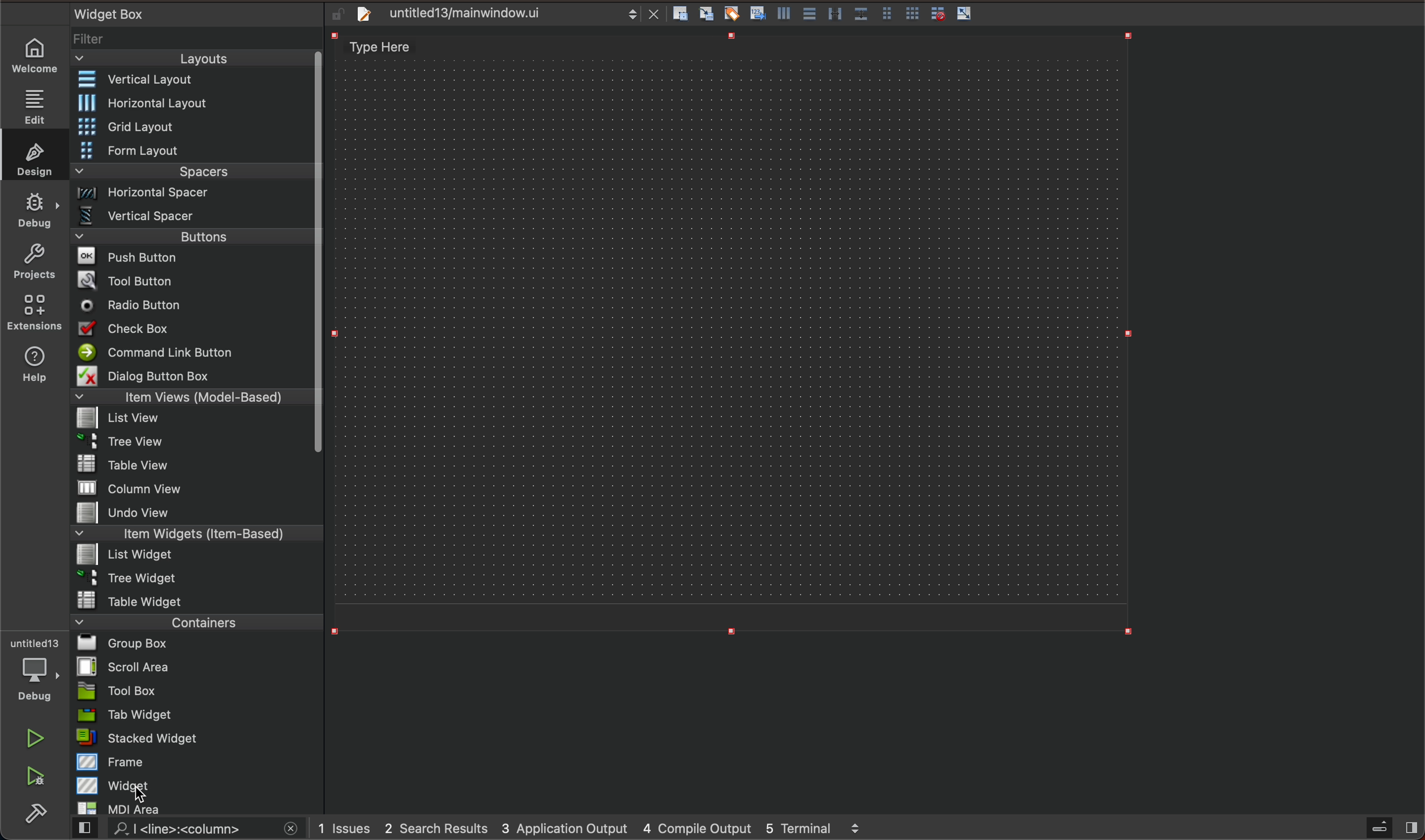 The image size is (1425, 840). I want to click on column view, so click(196, 487).